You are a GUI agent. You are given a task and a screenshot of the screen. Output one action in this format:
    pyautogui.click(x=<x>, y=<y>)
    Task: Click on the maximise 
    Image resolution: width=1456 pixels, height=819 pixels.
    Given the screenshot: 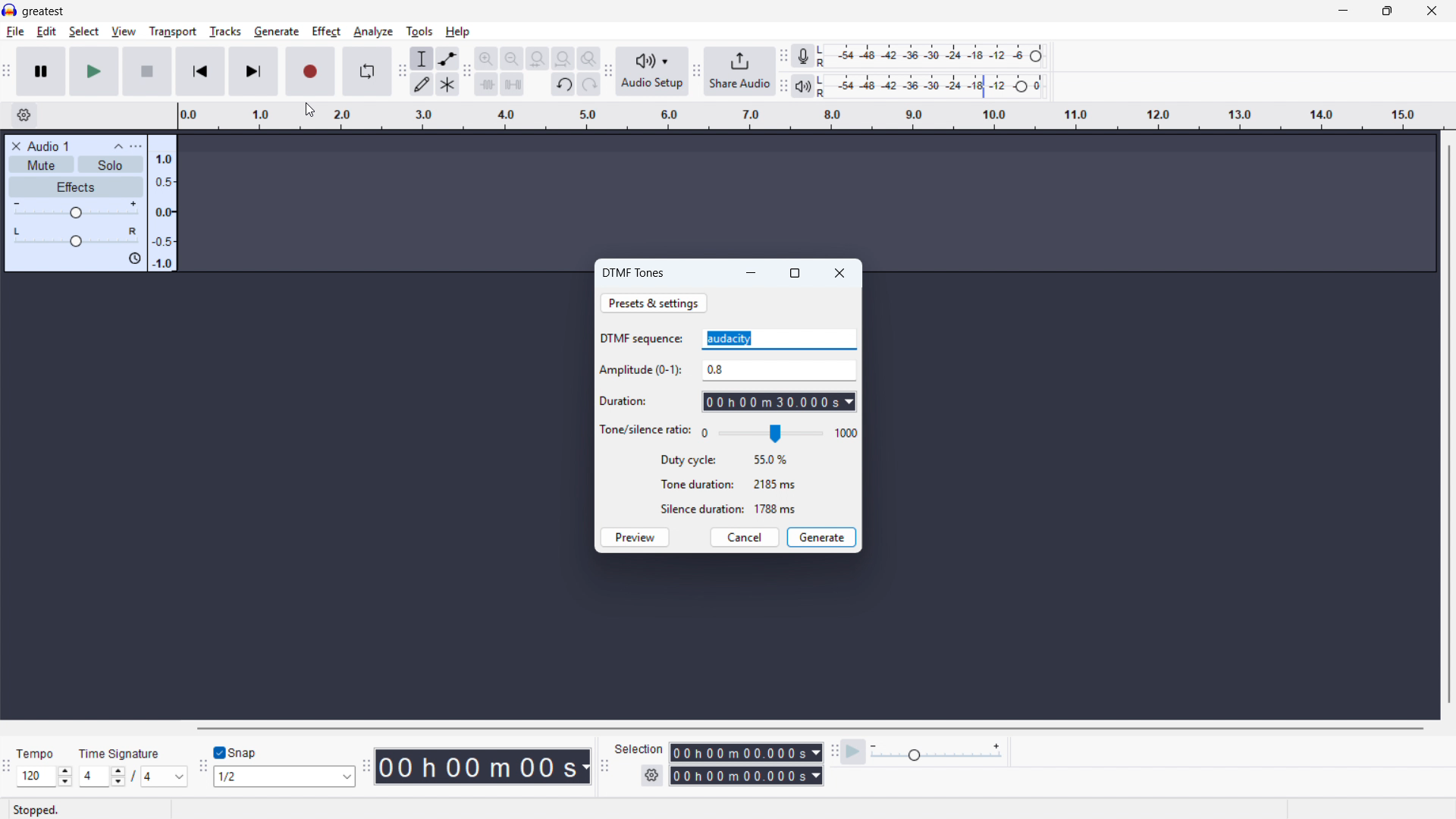 What is the action you would take?
    pyautogui.click(x=1385, y=11)
    